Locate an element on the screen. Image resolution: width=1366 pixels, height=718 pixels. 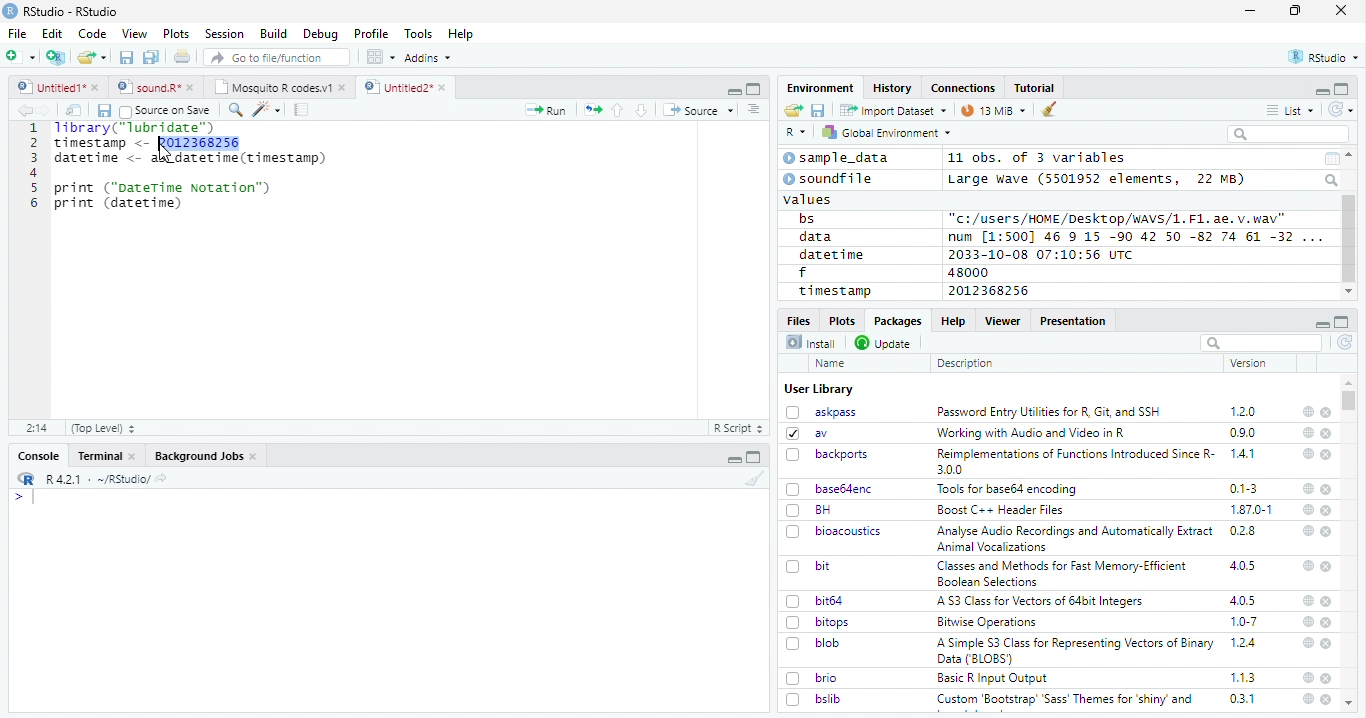
bit64 is located at coordinates (815, 601).